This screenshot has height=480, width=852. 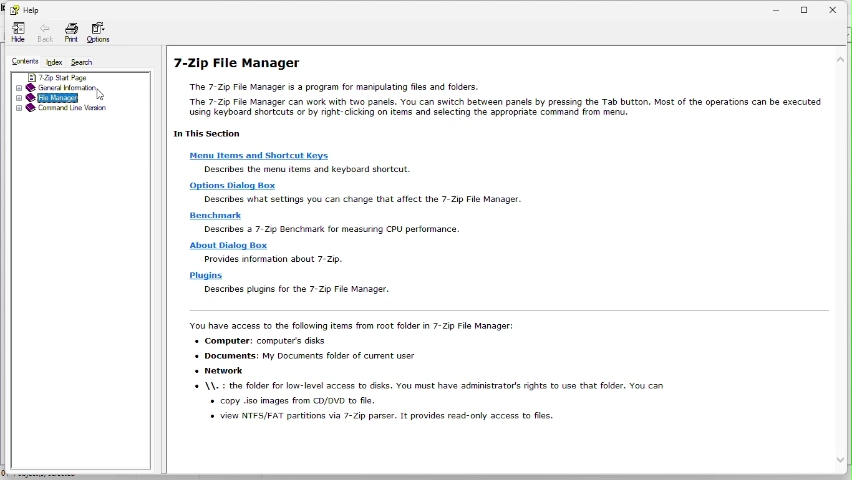 What do you see at coordinates (305, 169) in the screenshot?
I see `describes the menu Items and keyboard shortcut` at bounding box center [305, 169].